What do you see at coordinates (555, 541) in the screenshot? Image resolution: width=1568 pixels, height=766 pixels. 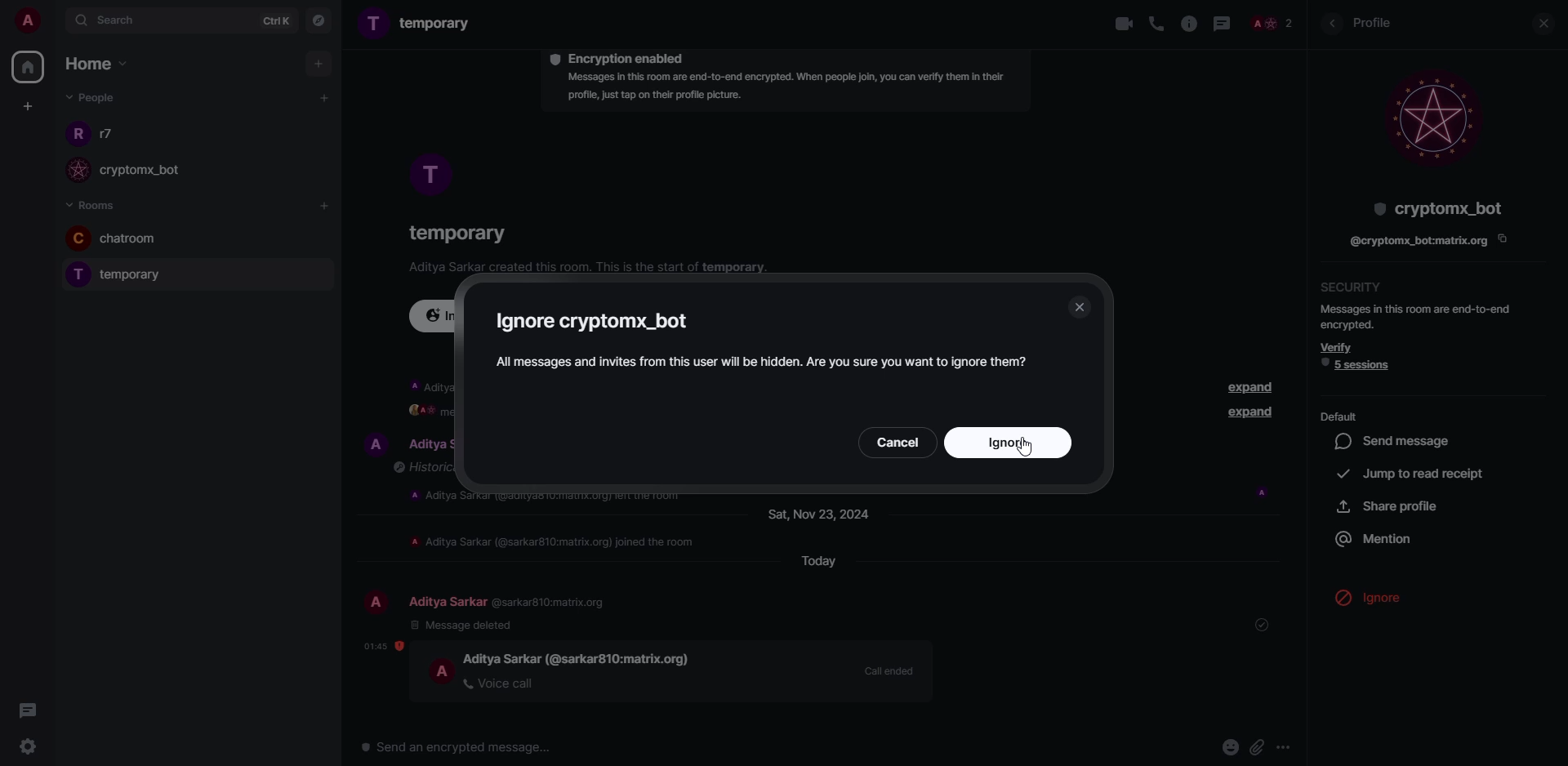 I see `info` at bounding box center [555, 541].